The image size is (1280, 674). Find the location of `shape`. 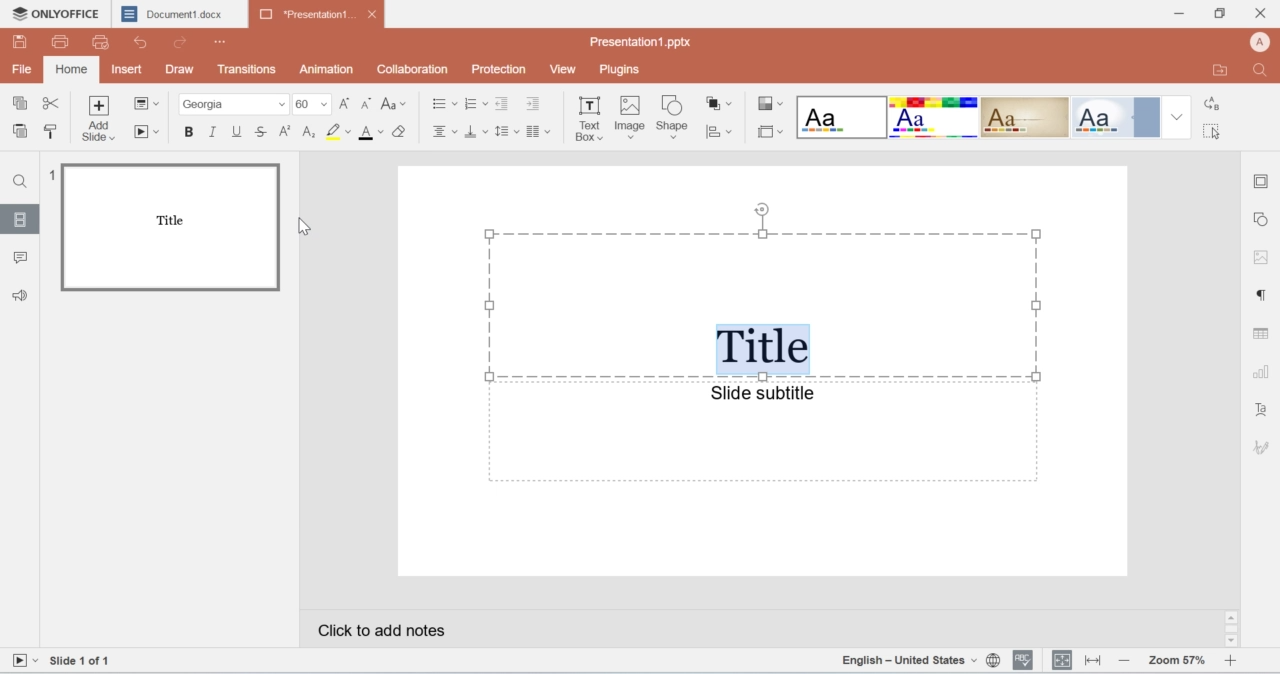

shape is located at coordinates (675, 119).